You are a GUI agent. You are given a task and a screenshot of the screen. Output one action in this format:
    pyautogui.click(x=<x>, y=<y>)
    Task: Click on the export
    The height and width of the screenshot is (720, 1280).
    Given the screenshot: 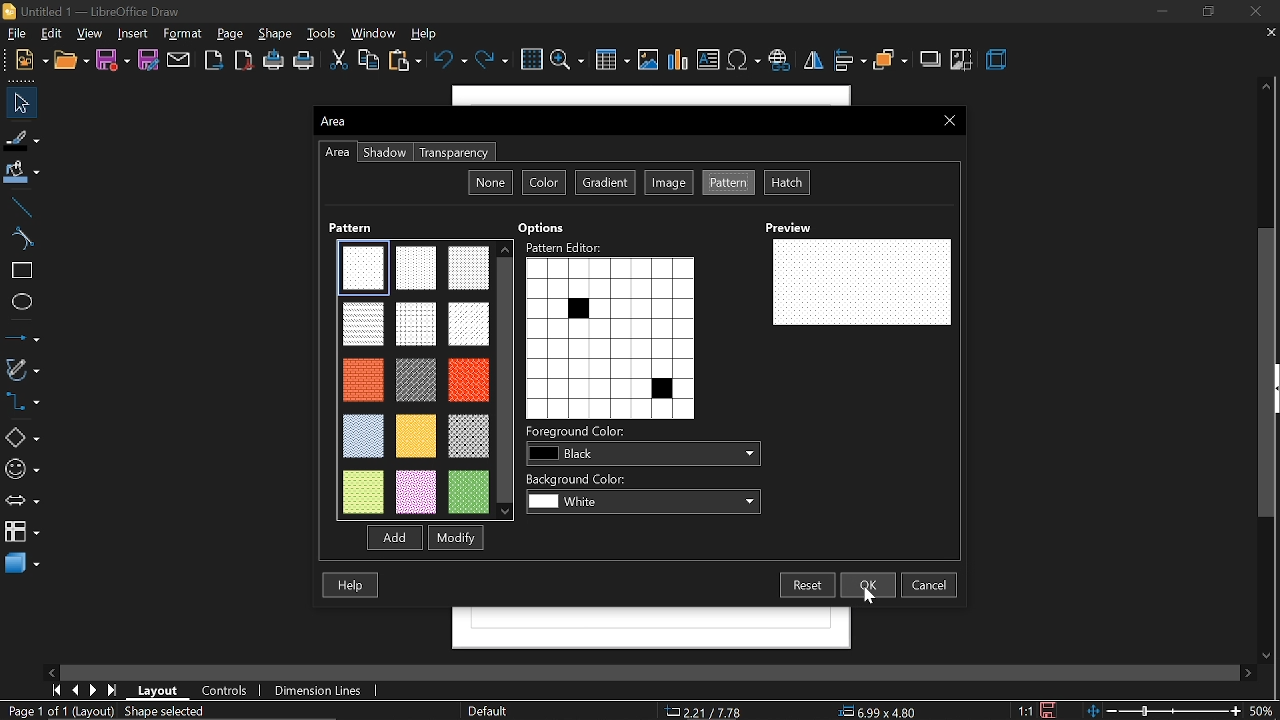 What is the action you would take?
    pyautogui.click(x=211, y=60)
    